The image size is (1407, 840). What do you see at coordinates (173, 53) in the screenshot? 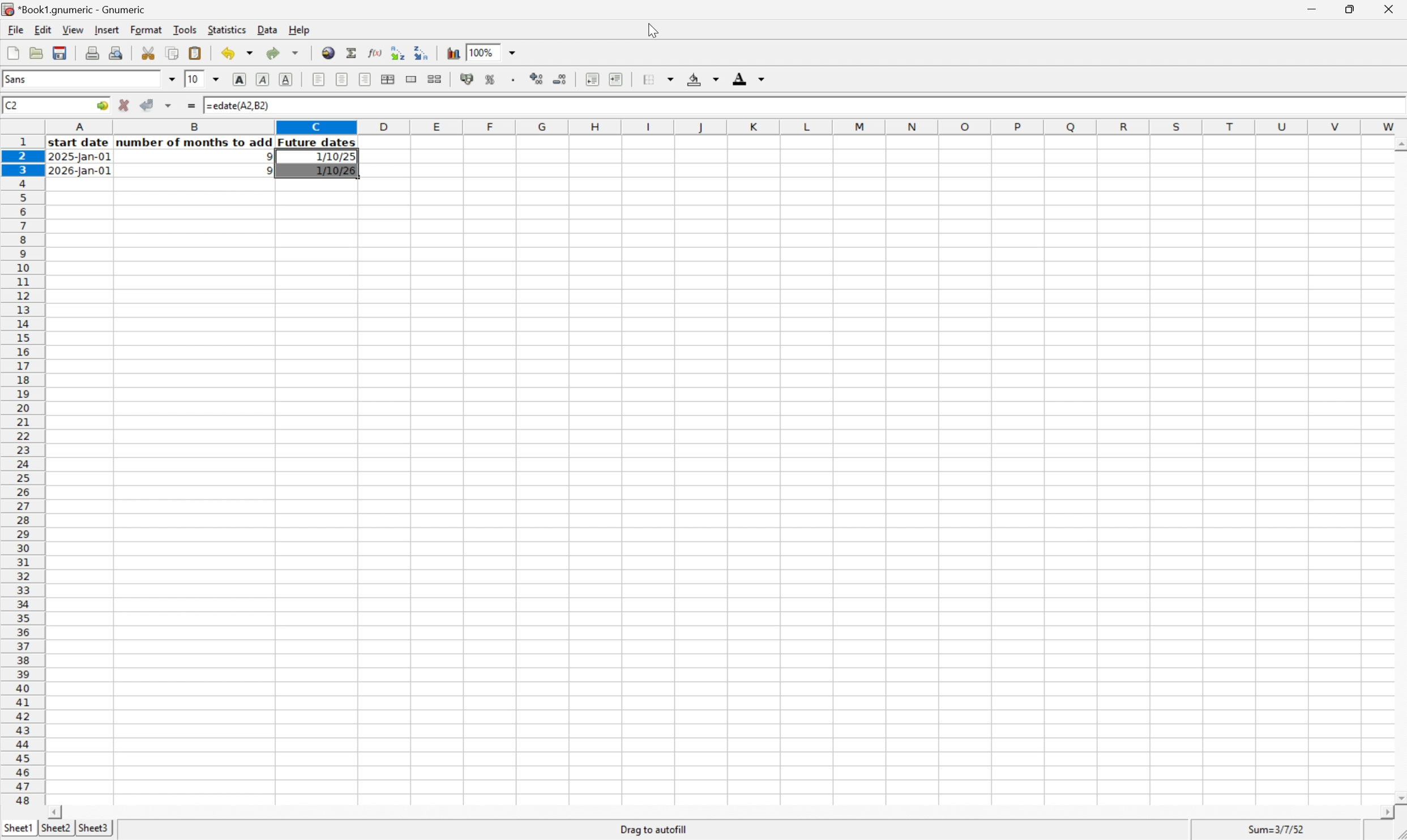
I see `Copy selection` at bounding box center [173, 53].